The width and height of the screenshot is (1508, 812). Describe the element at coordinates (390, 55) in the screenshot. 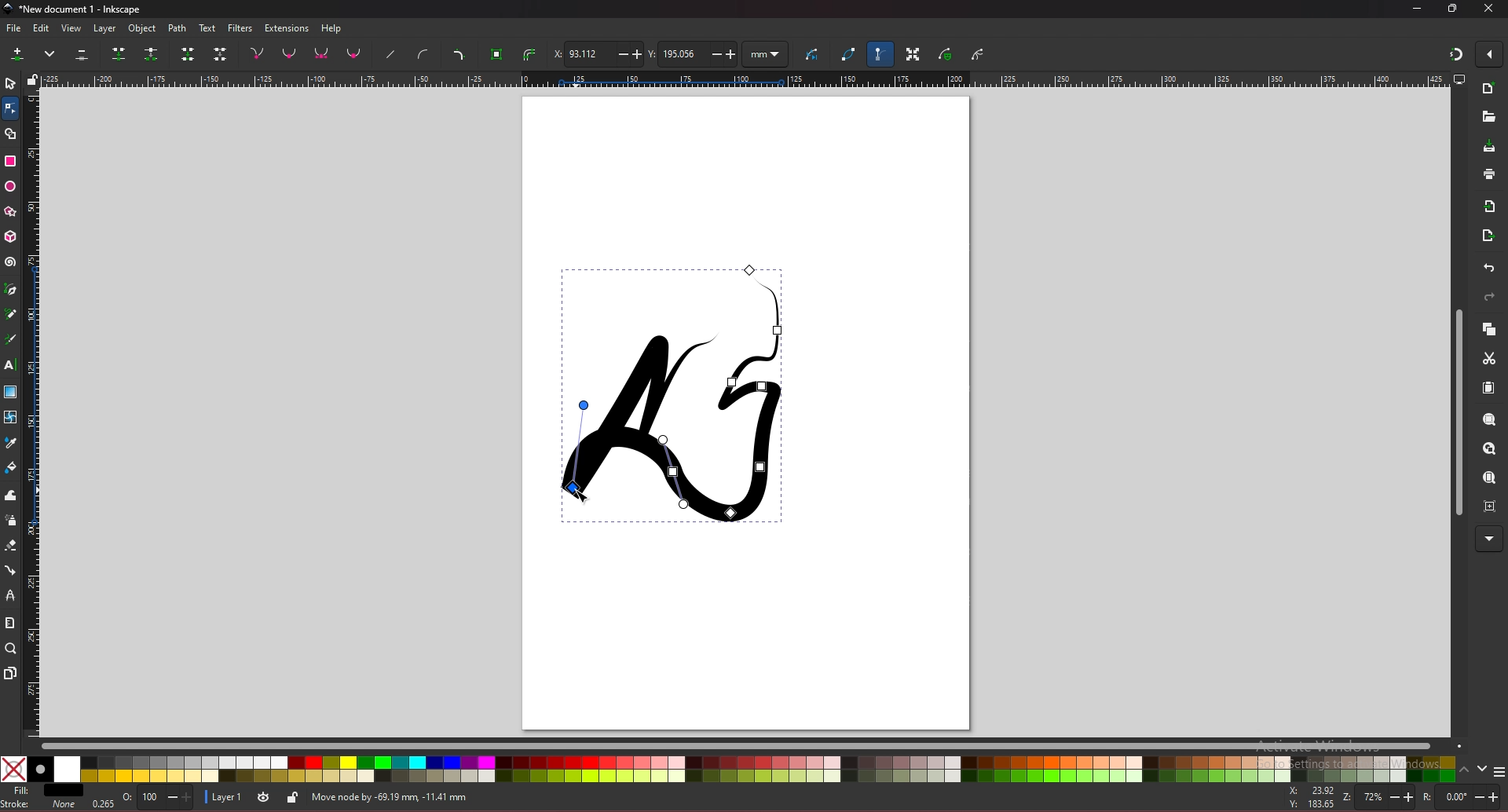

I see `straighten line` at that location.